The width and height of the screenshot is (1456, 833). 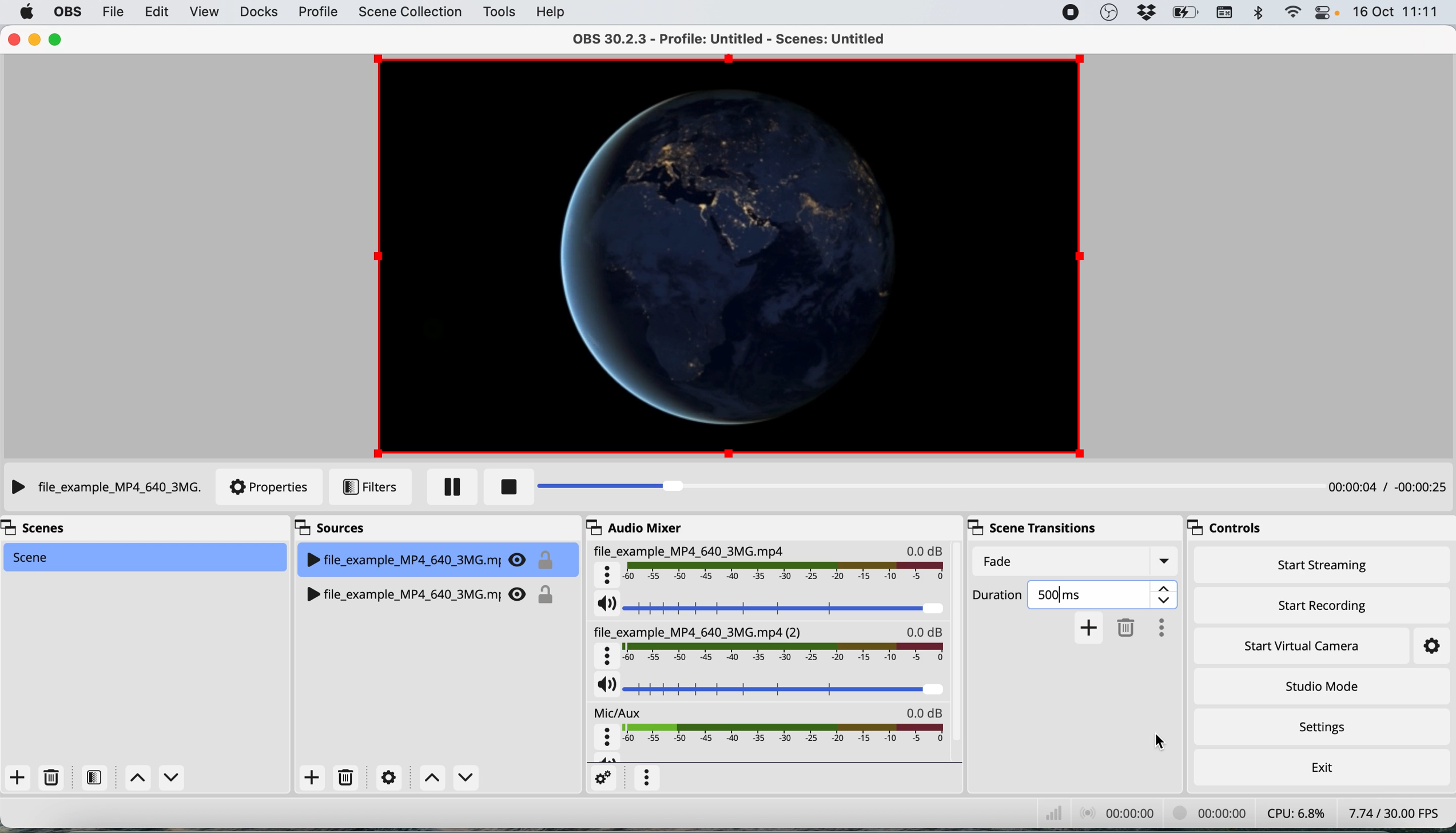 What do you see at coordinates (1319, 605) in the screenshot?
I see `start recording` at bounding box center [1319, 605].